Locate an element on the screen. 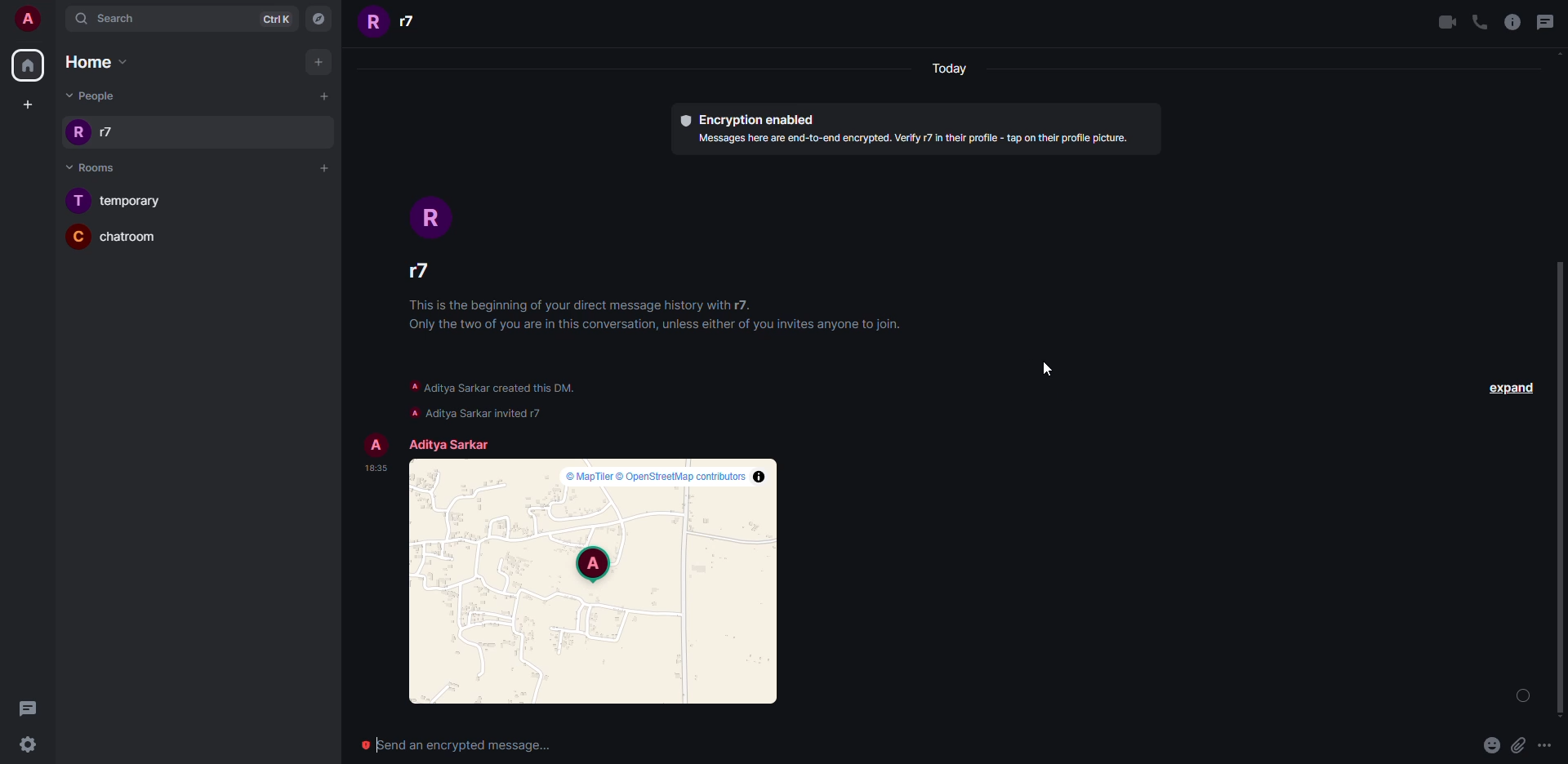  R is located at coordinates (372, 22).